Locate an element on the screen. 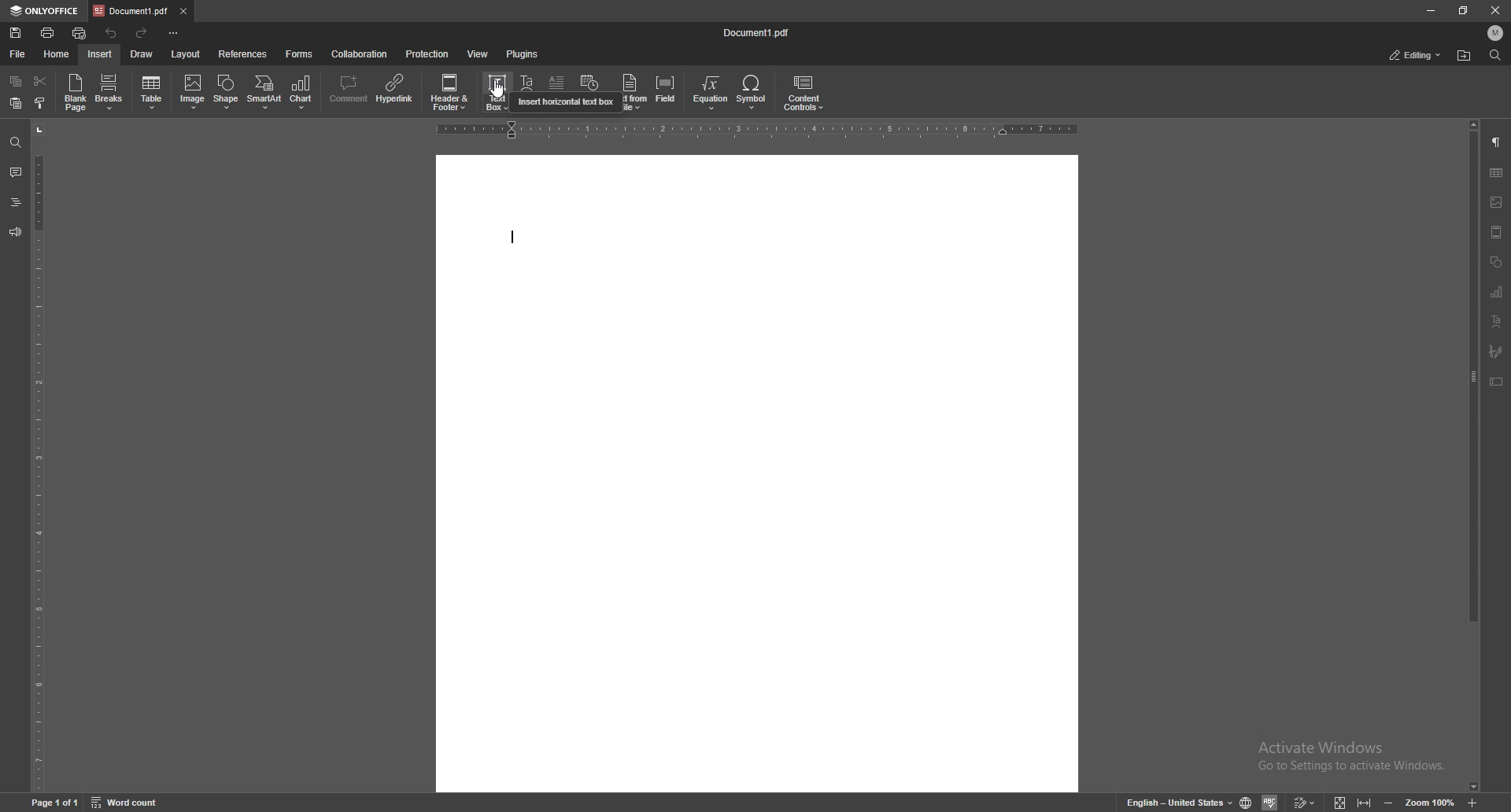 Image resolution: width=1511 pixels, height=812 pixels. file is located at coordinates (17, 54).